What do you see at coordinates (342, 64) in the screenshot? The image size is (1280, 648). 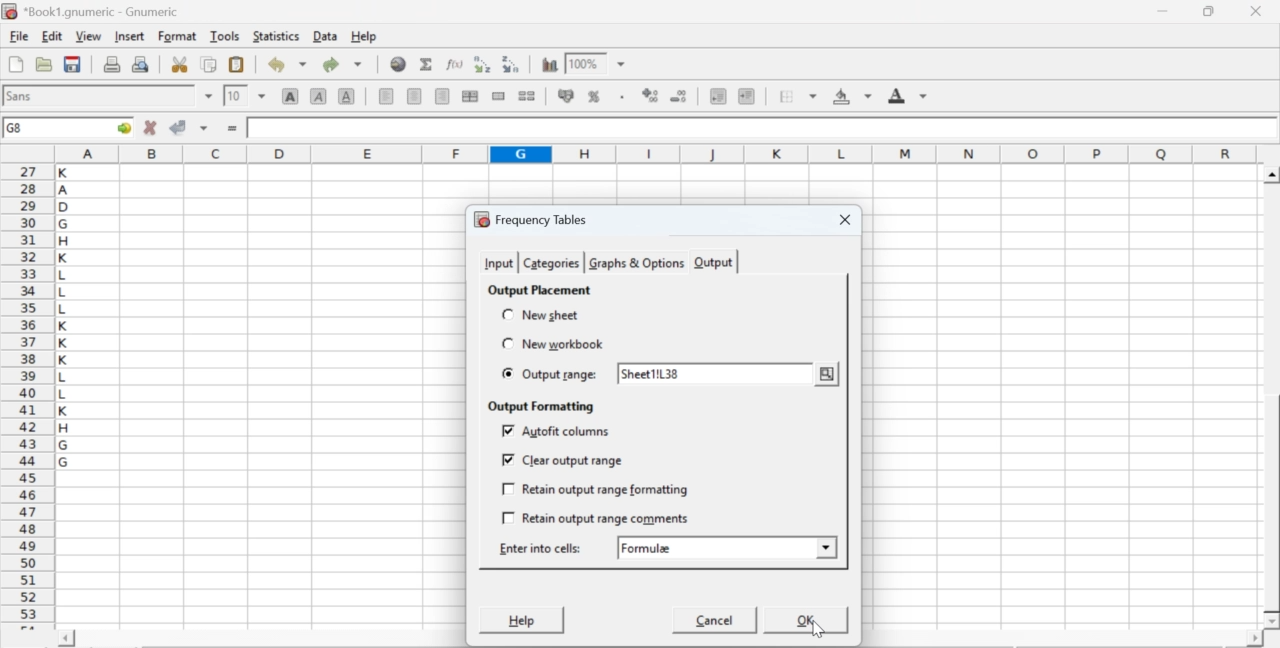 I see `redo` at bounding box center [342, 64].